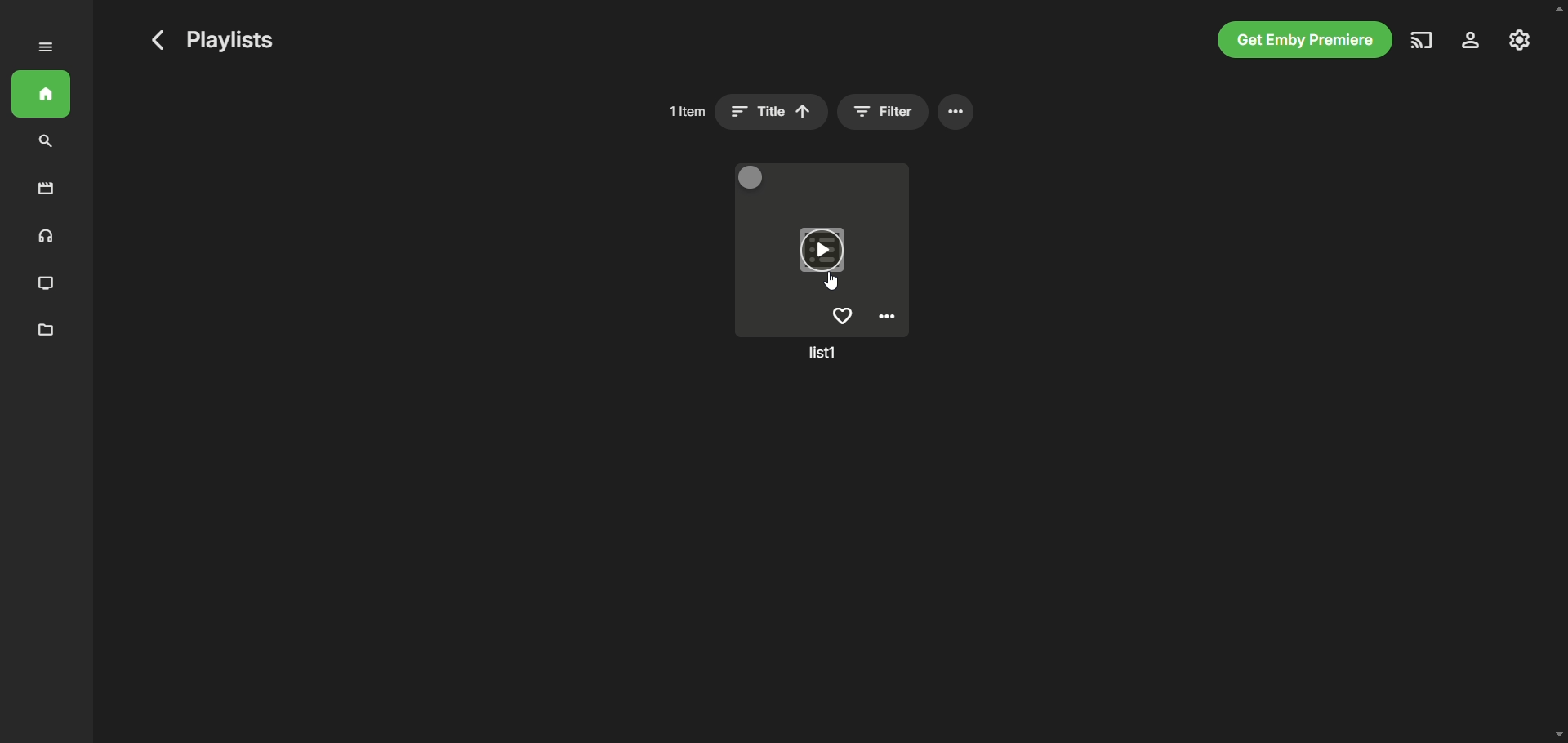  Describe the element at coordinates (41, 94) in the screenshot. I see `home` at that location.